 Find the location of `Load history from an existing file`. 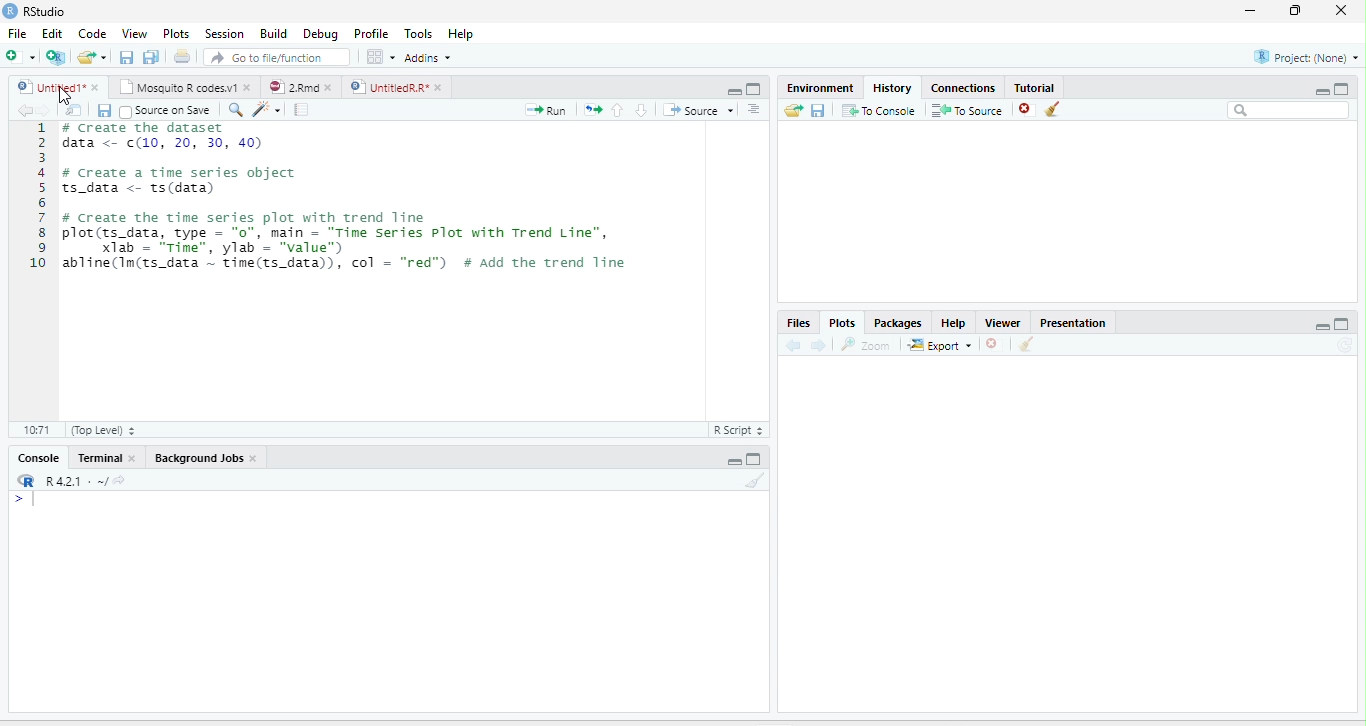

Load history from an existing file is located at coordinates (793, 110).